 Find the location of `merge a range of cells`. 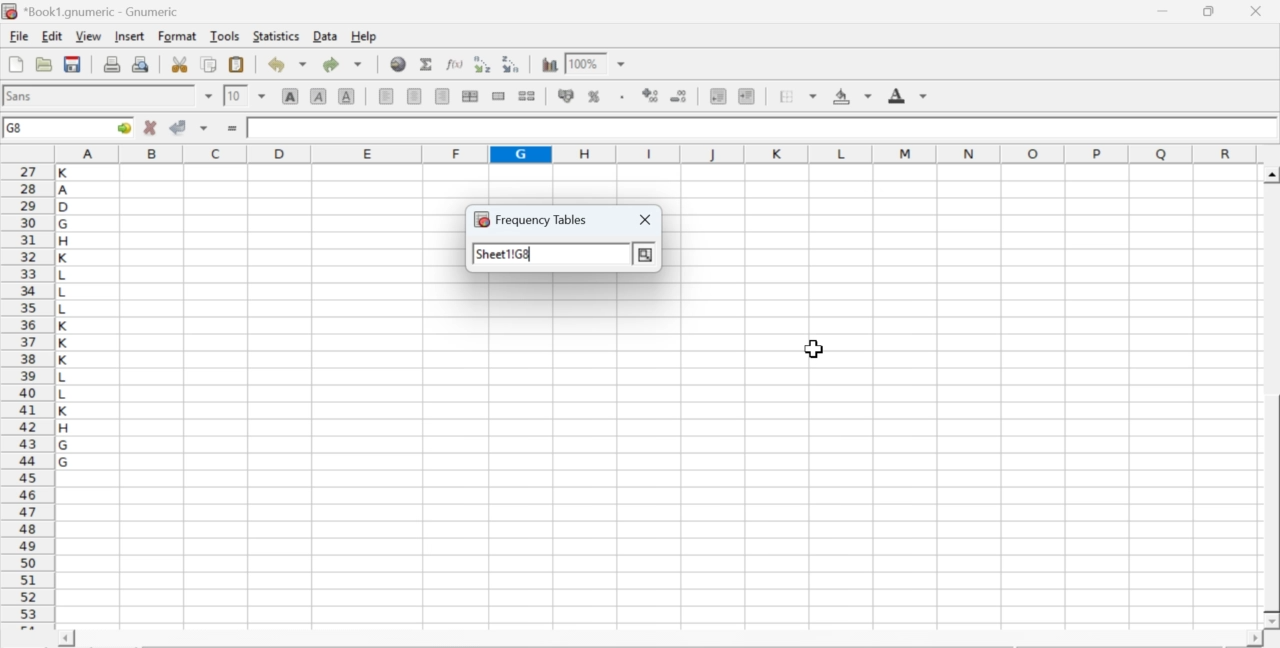

merge a range of cells is located at coordinates (499, 96).